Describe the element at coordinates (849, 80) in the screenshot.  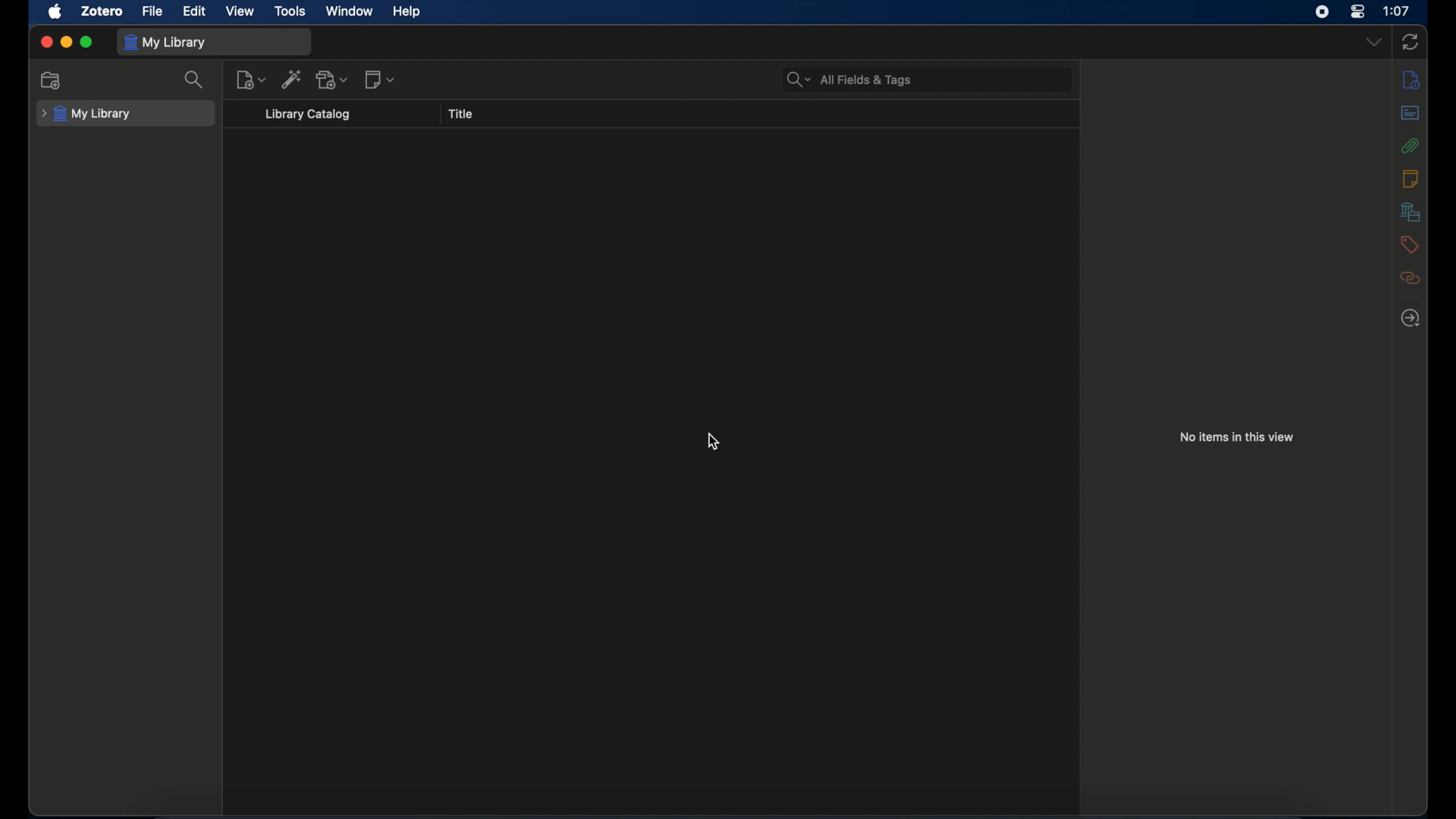
I see `search bar` at that location.